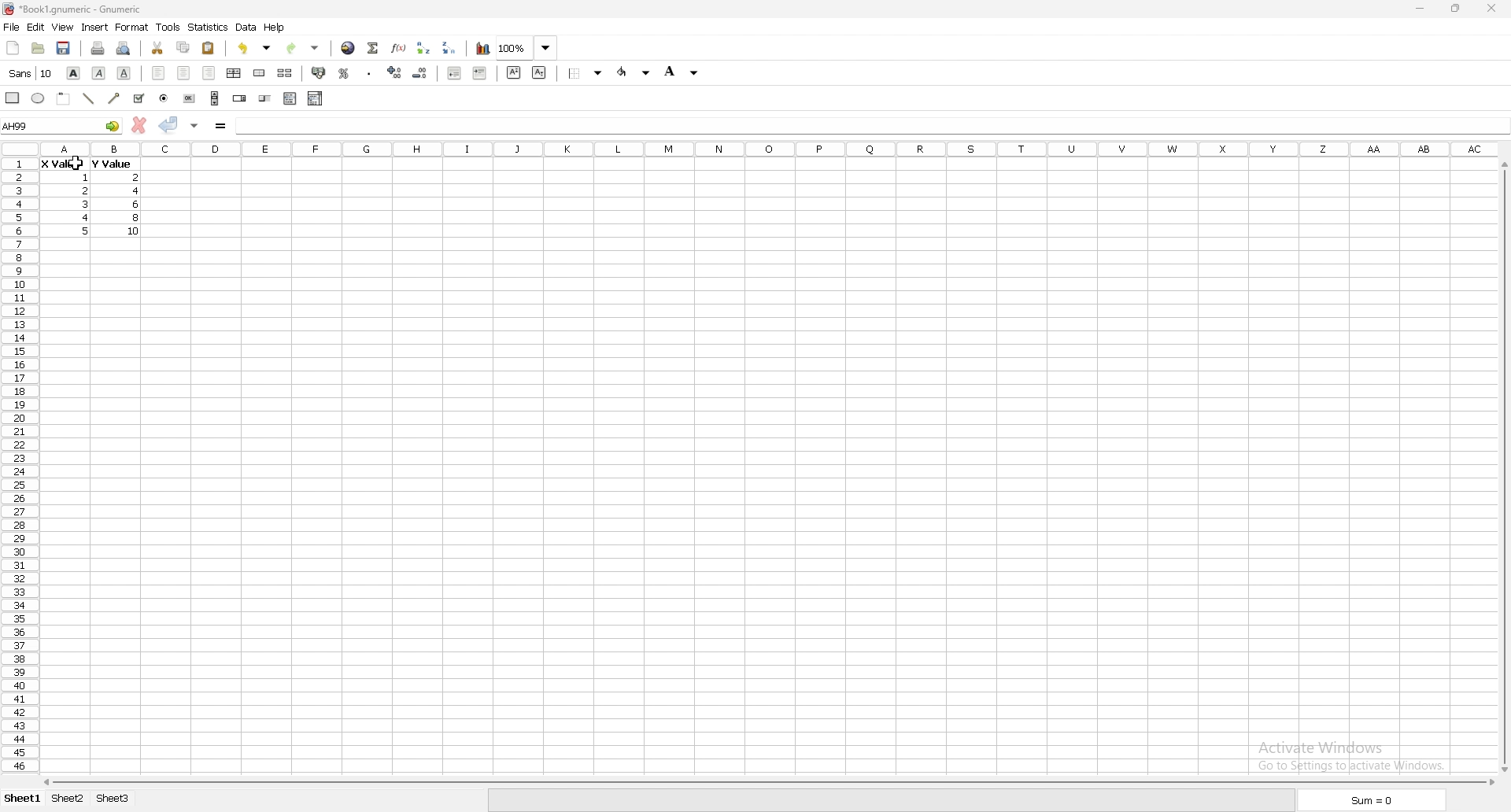 This screenshot has height=812, width=1511. I want to click on undo, so click(254, 48).